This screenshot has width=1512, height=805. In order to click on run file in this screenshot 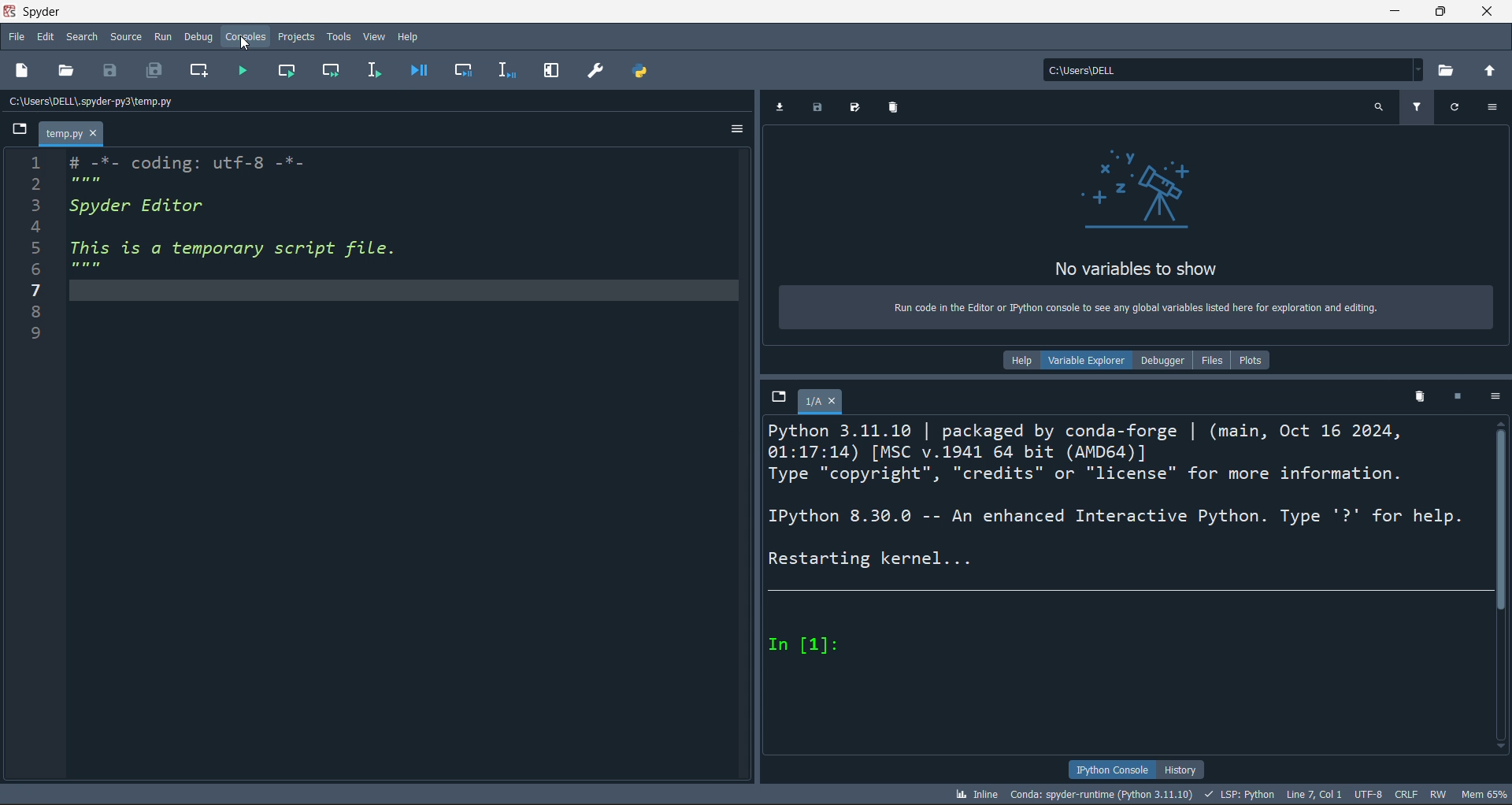, I will do `click(243, 68)`.